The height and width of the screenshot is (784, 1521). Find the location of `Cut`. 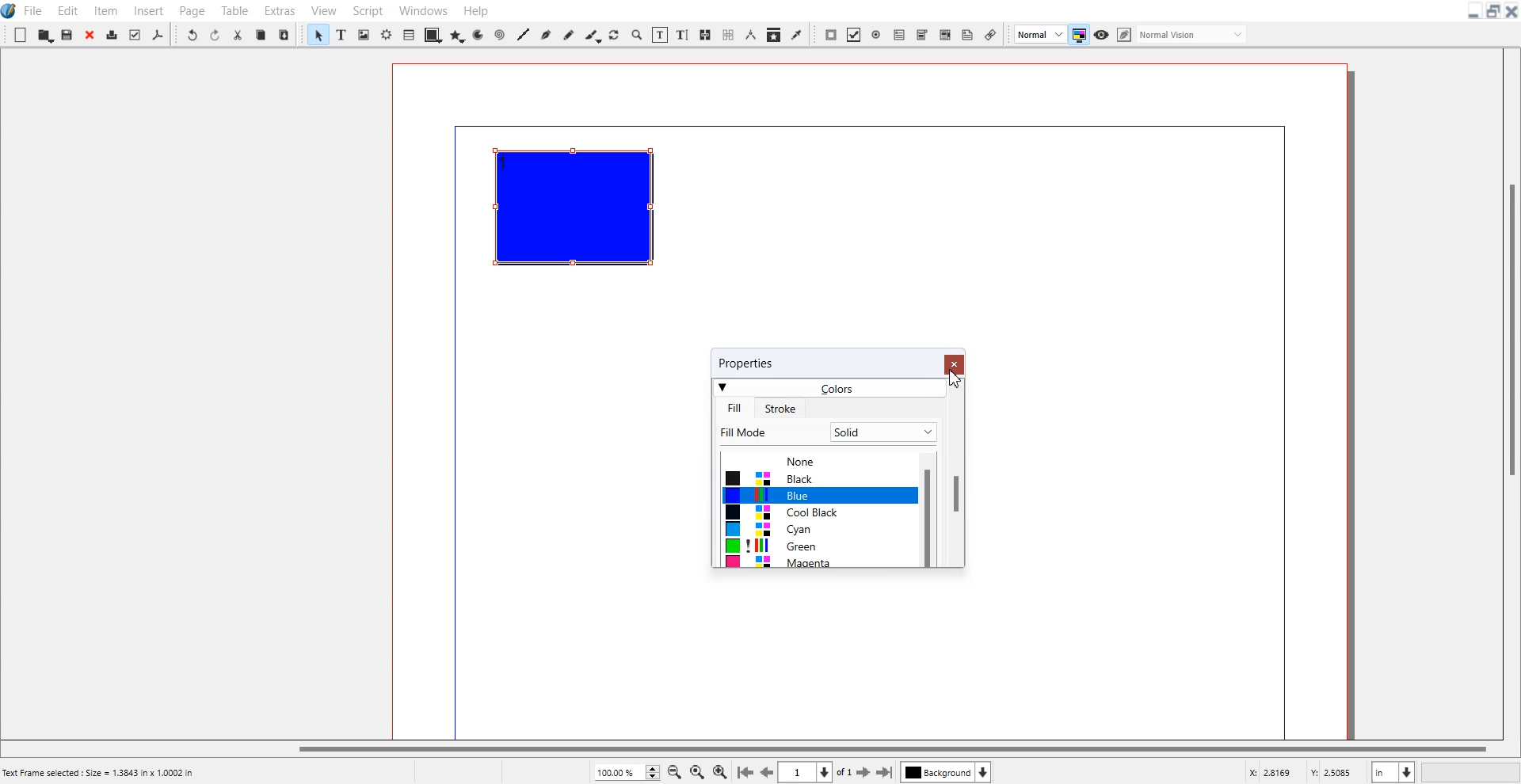

Cut is located at coordinates (238, 33).